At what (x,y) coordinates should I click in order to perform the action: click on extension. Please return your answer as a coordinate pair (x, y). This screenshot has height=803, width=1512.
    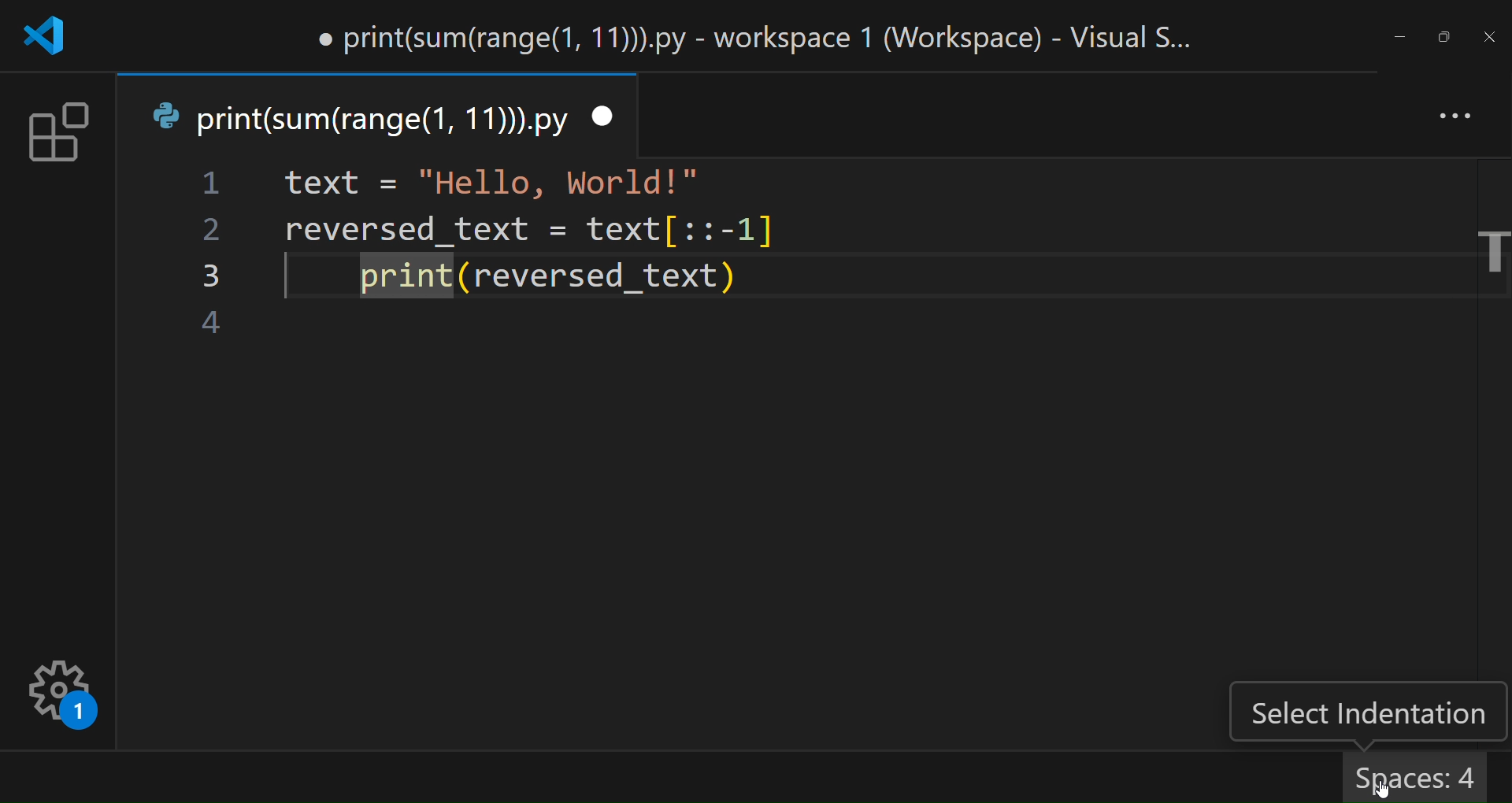
    Looking at the image, I should click on (57, 136).